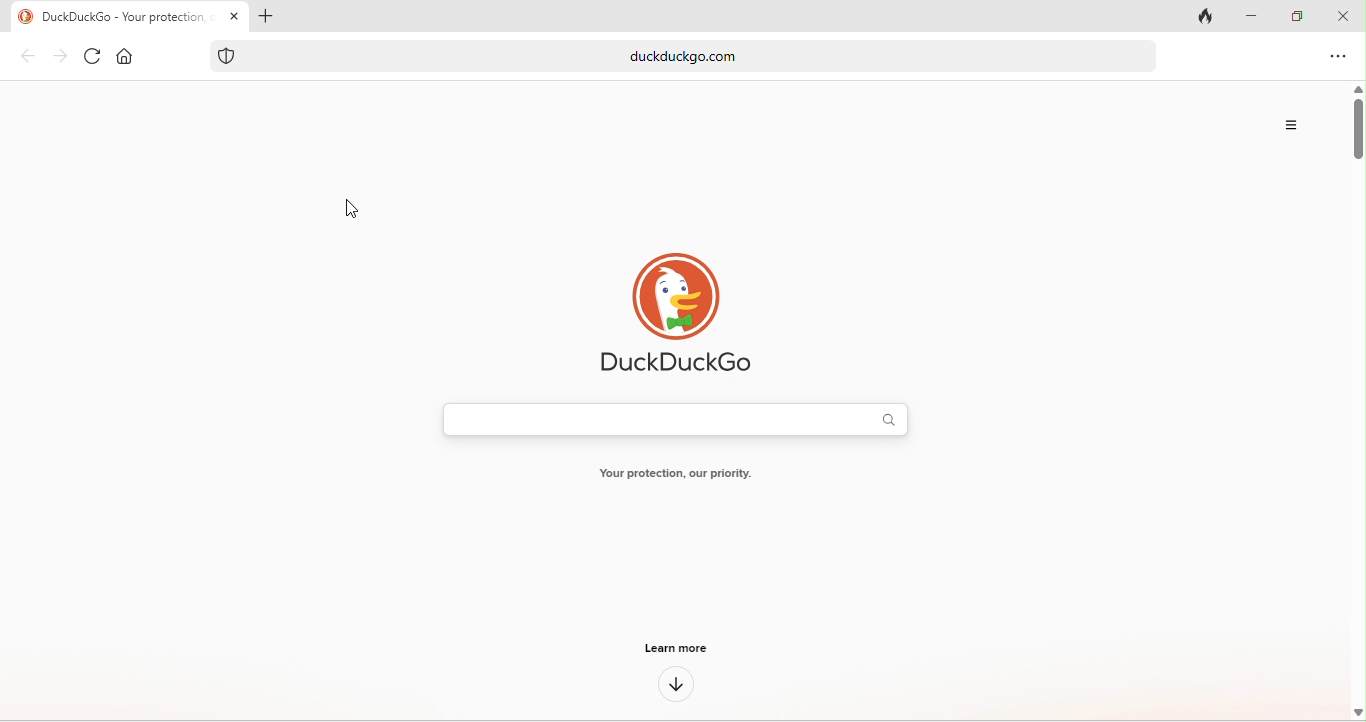 The image size is (1366, 722). What do you see at coordinates (1244, 17) in the screenshot?
I see `minimize` at bounding box center [1244, 17].